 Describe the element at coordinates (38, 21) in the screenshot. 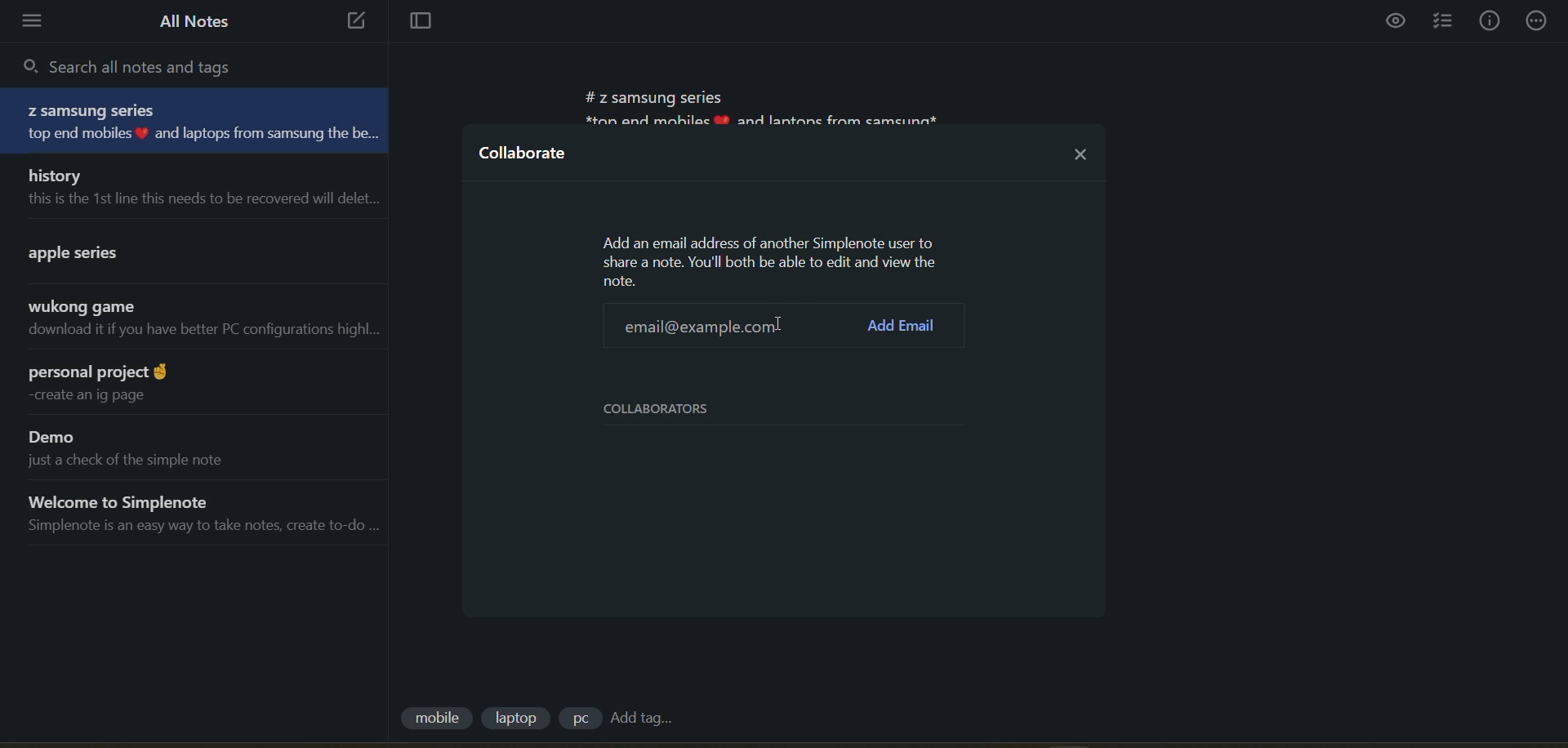

I see `menu` at that location.